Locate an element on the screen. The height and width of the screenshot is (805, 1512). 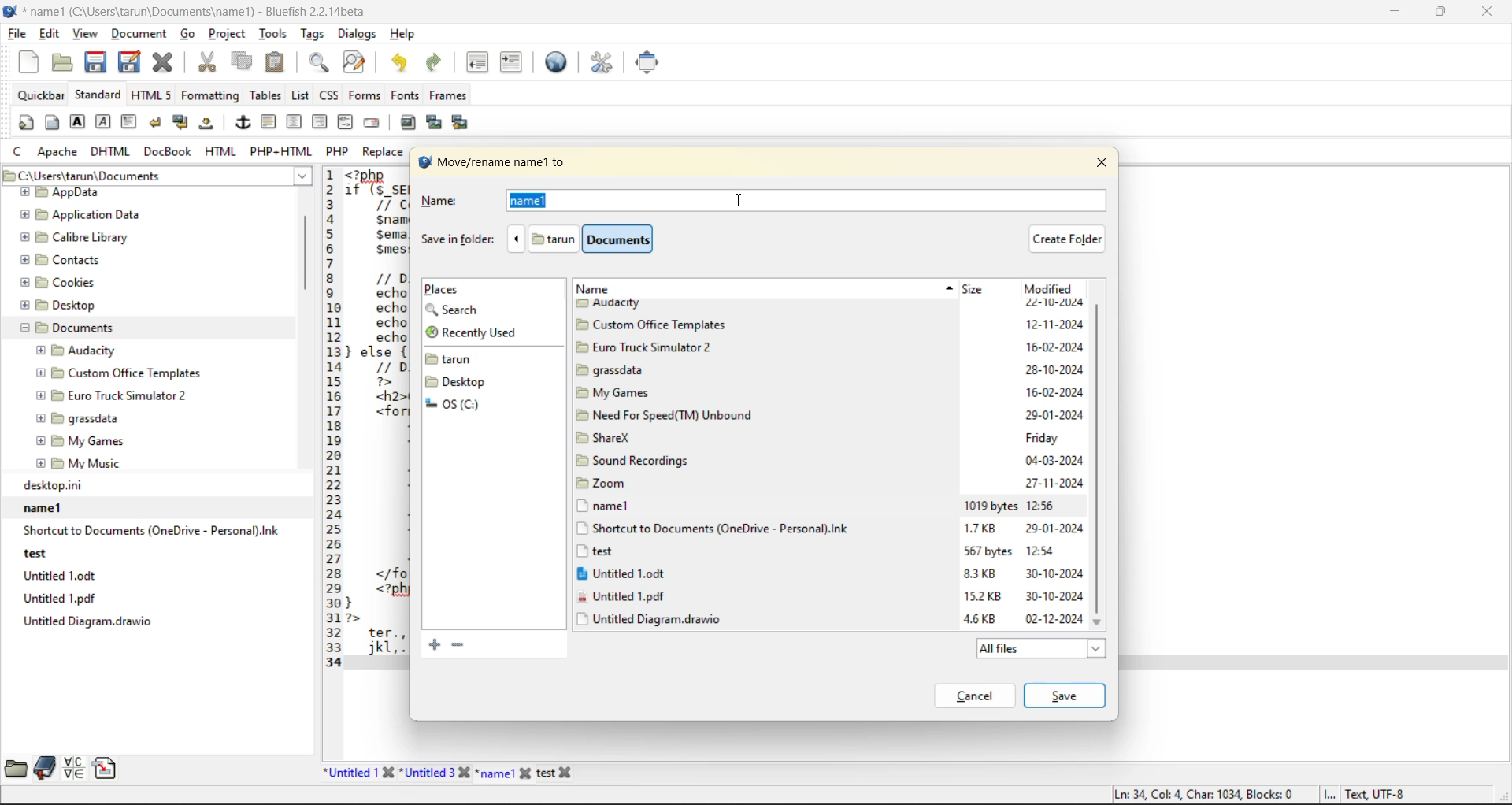
quickbar is located at coordinates (39, 98).